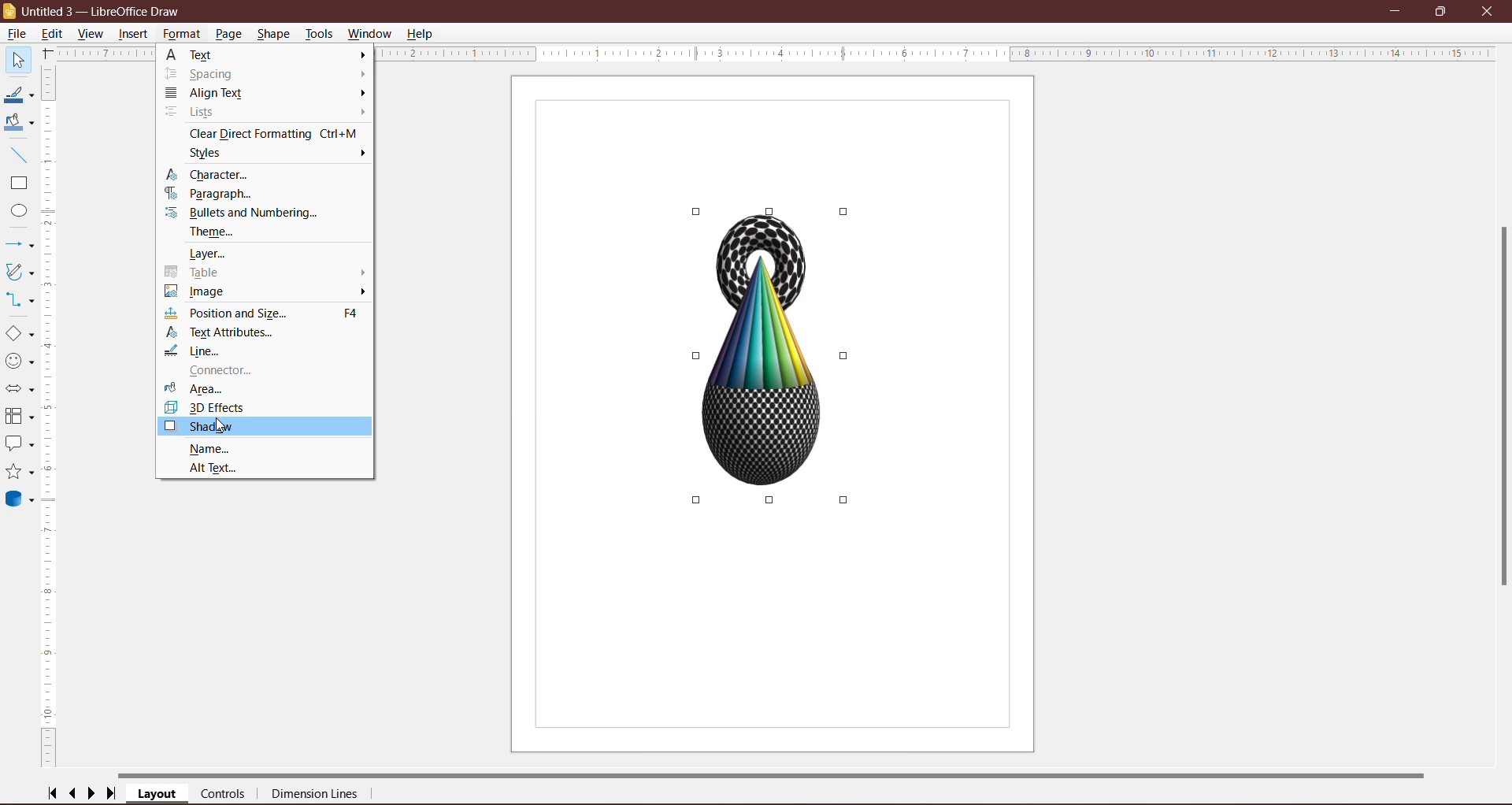  I want to click on Text Attributes, so click(228, 332).